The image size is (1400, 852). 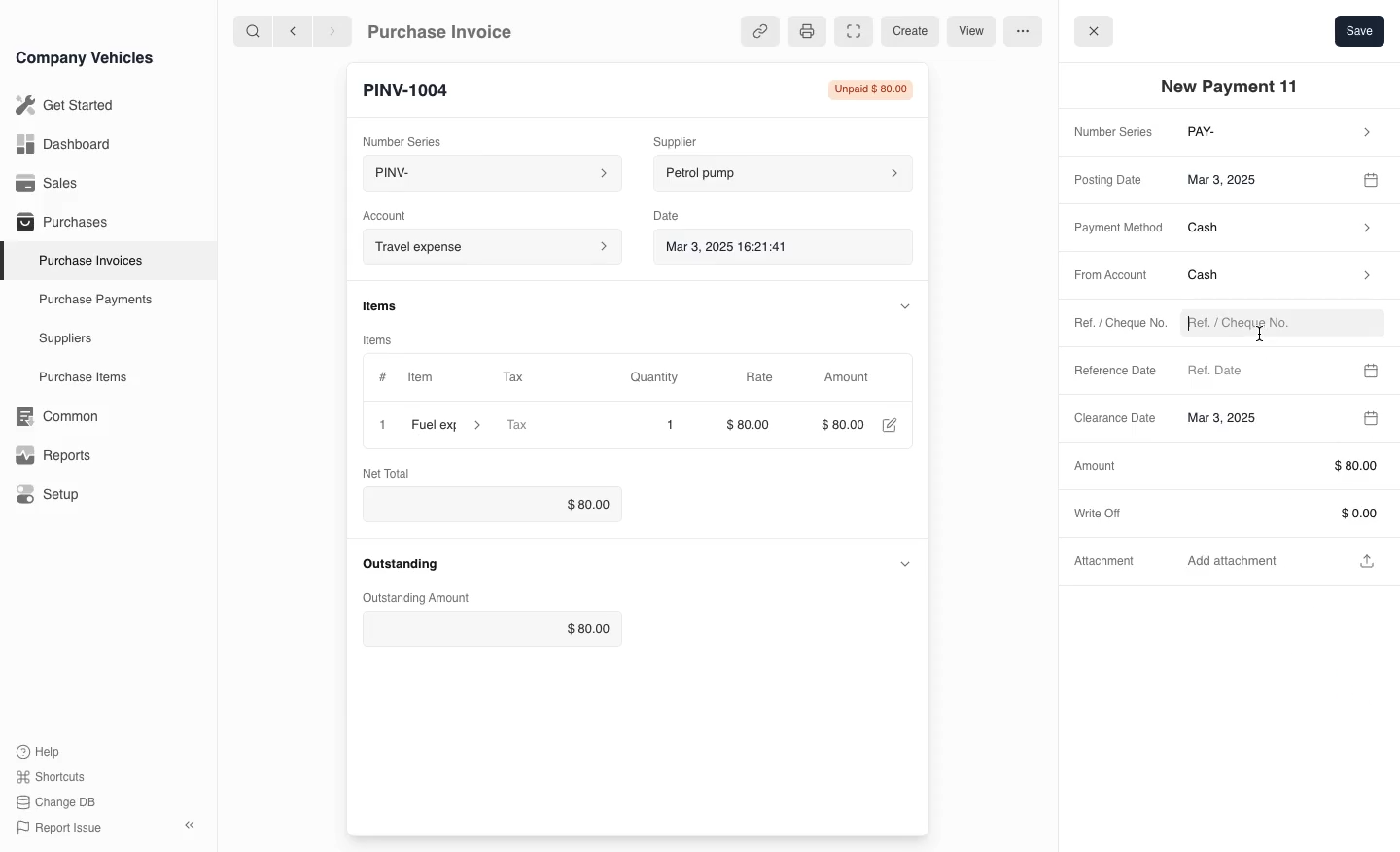 I want to click on 1, so click(x=670, y=425).